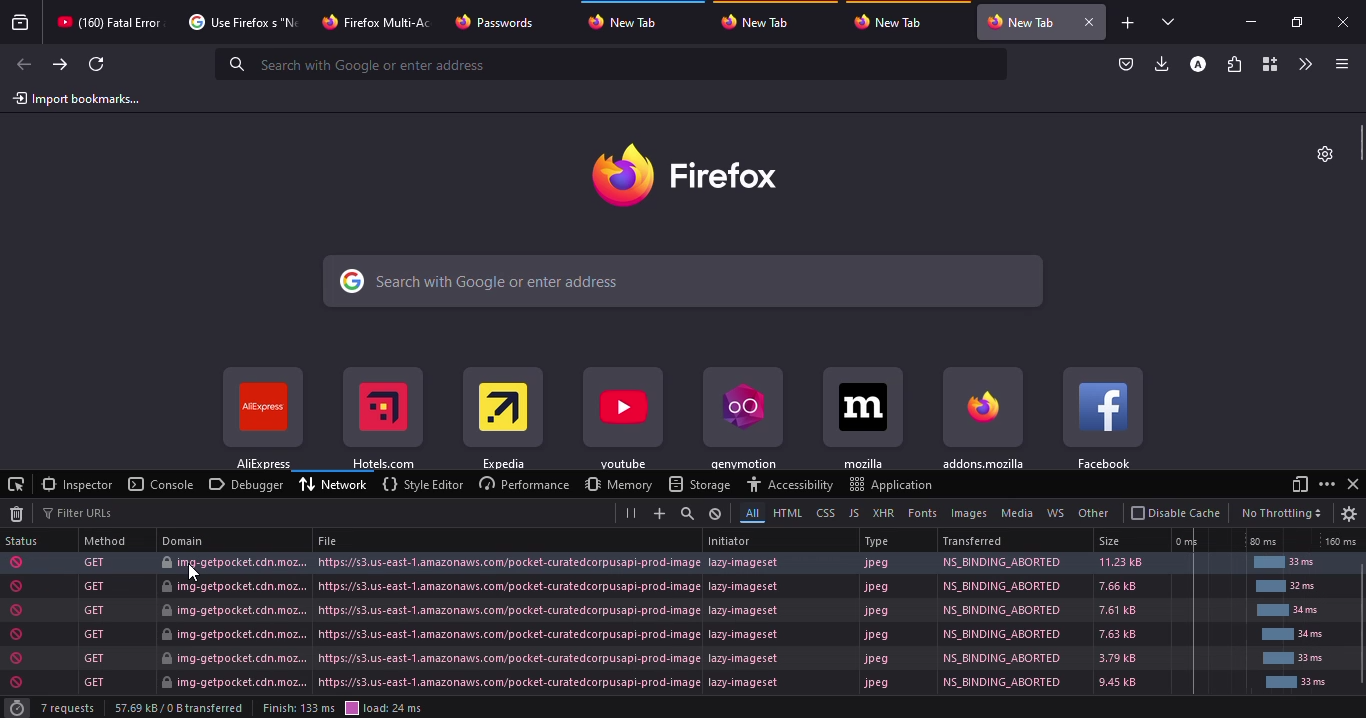 The image size is (1366, 718). I want to click on tab, so click(1024, 22).